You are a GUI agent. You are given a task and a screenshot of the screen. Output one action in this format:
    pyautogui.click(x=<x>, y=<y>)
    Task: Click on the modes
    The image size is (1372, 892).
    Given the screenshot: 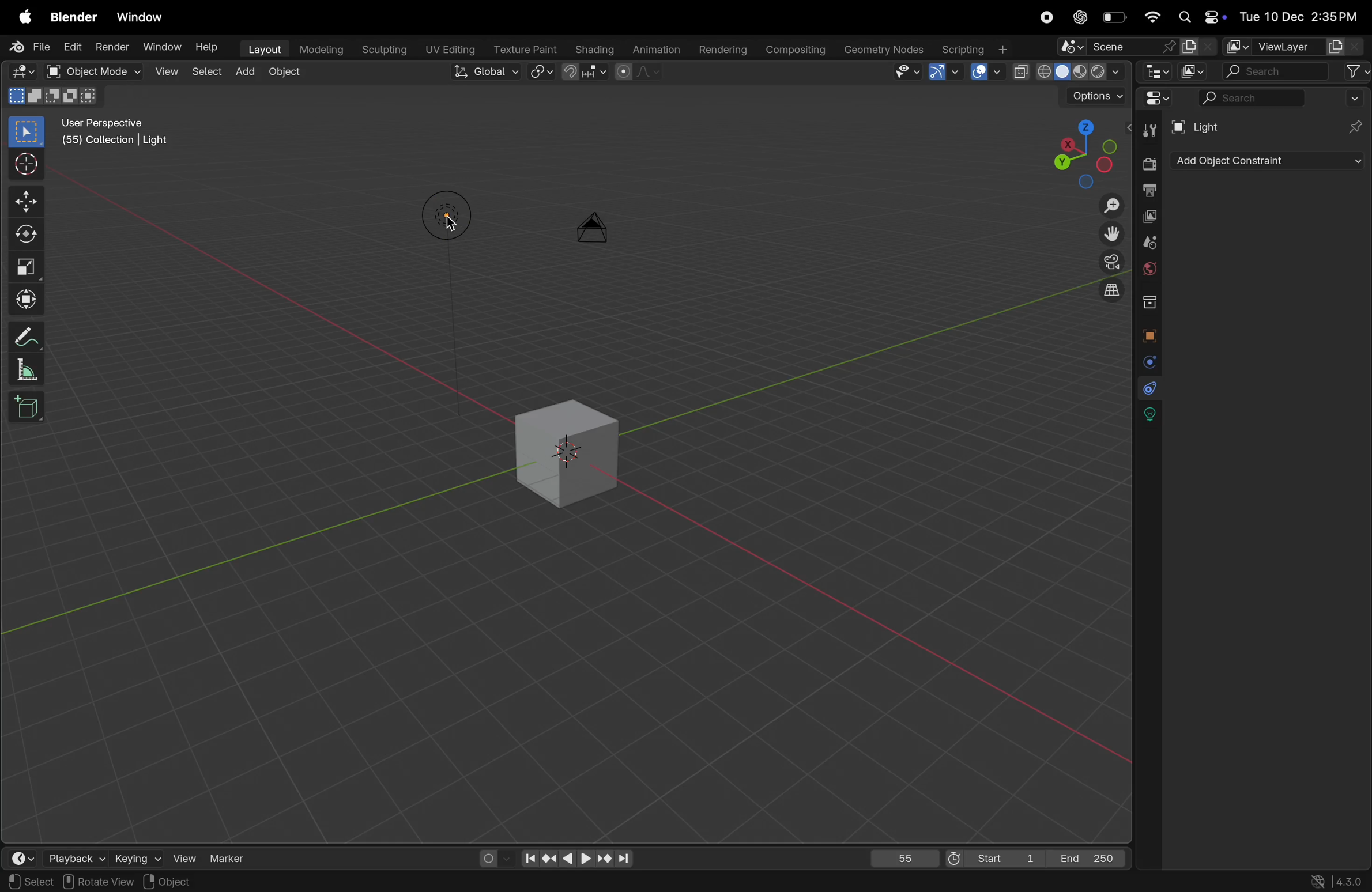 What is the action you would take?
    pyautogui.click(x=55, y=97)
    